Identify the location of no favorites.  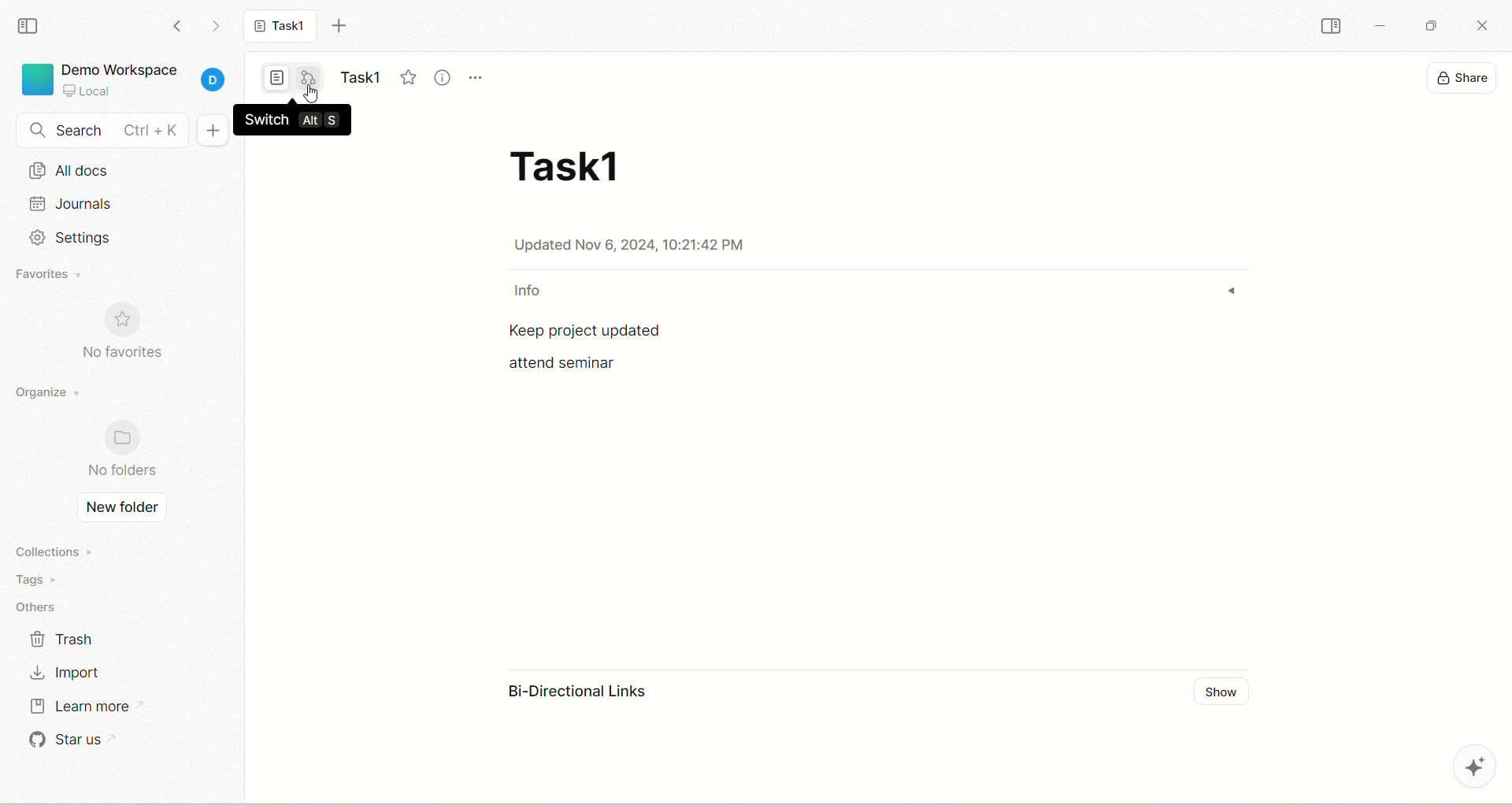
(135, 335).